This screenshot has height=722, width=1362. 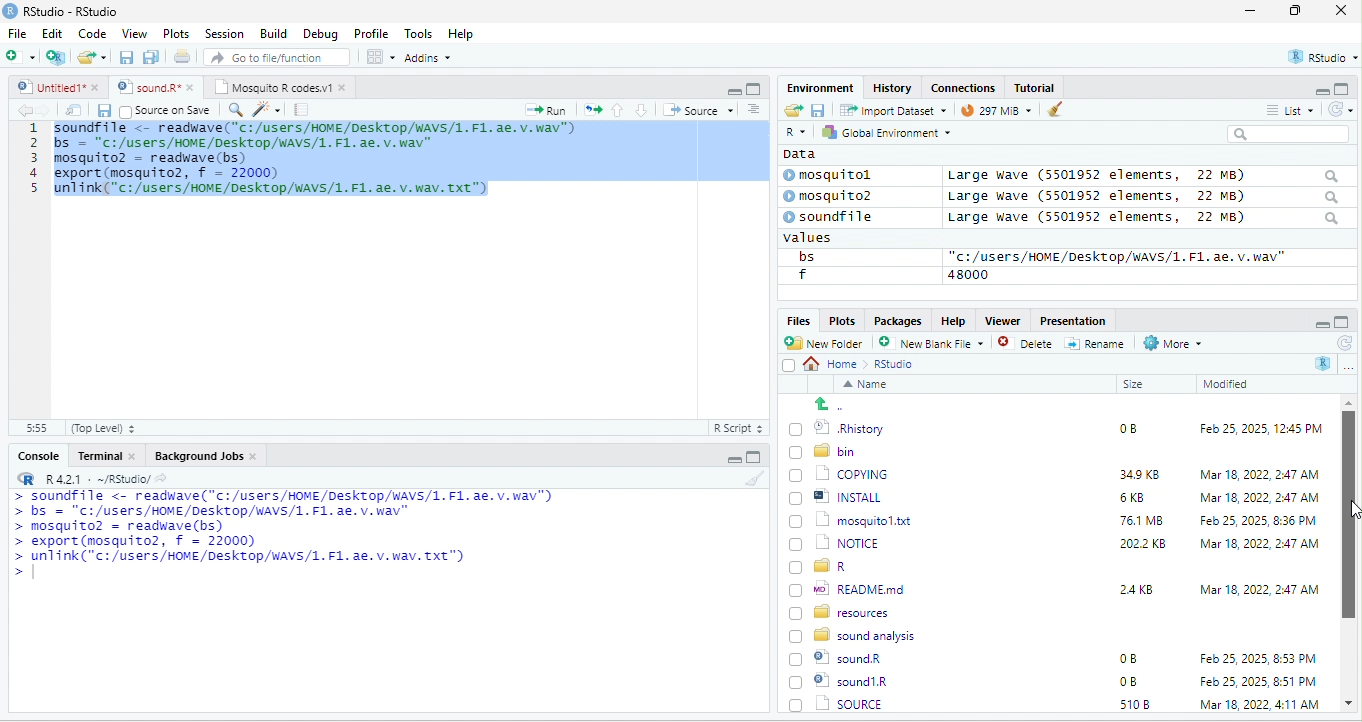 What do you see at coordinates (839, 473) in the screenshot?
I see `‘| COPYING` at bounding box center [839, 473].